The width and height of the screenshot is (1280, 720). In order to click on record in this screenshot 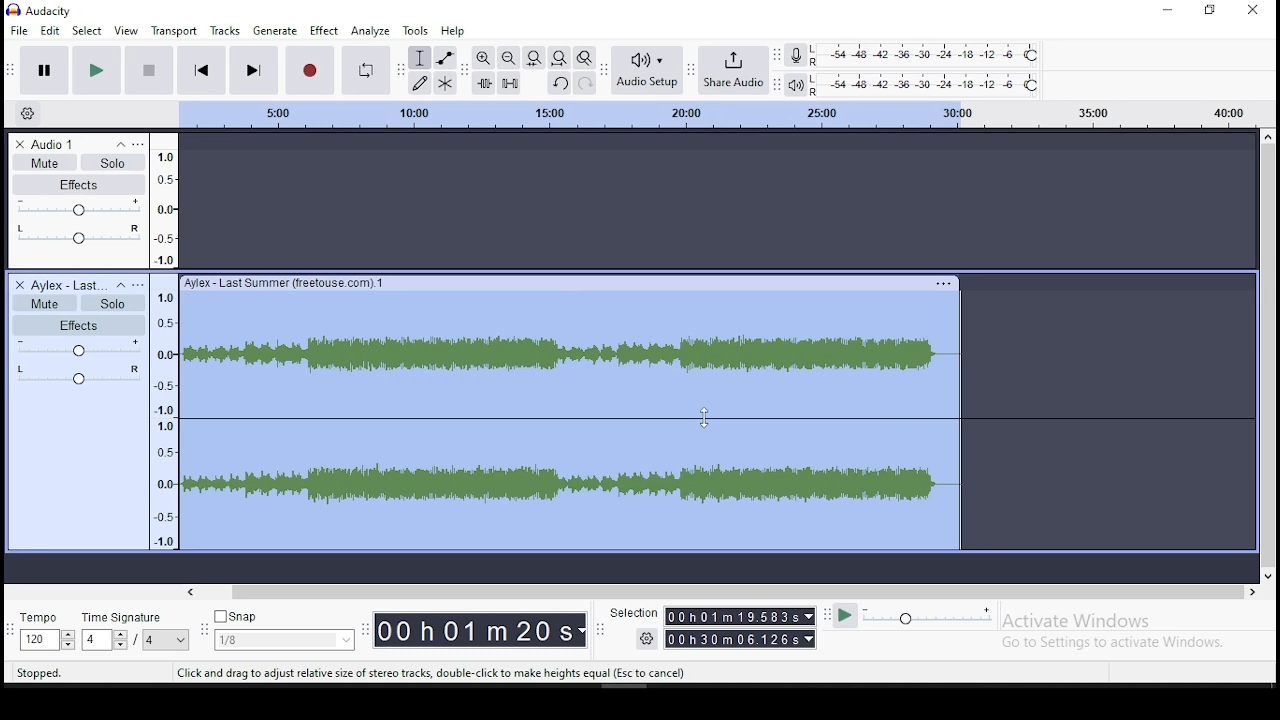, I will do `click(308, 69)`.